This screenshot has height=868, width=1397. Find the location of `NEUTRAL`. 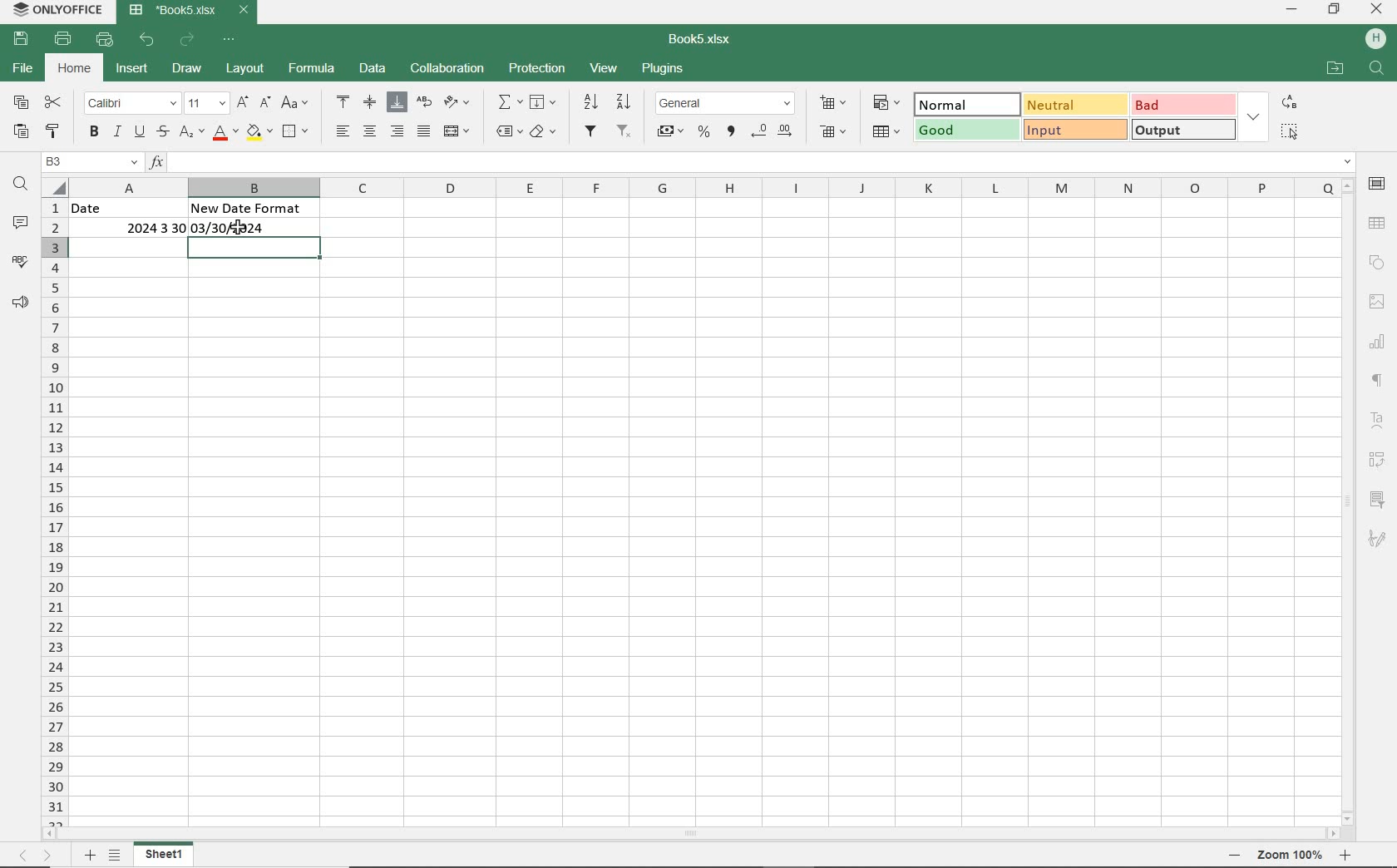

NEUTRAL is located at coordinates (1074, 104).